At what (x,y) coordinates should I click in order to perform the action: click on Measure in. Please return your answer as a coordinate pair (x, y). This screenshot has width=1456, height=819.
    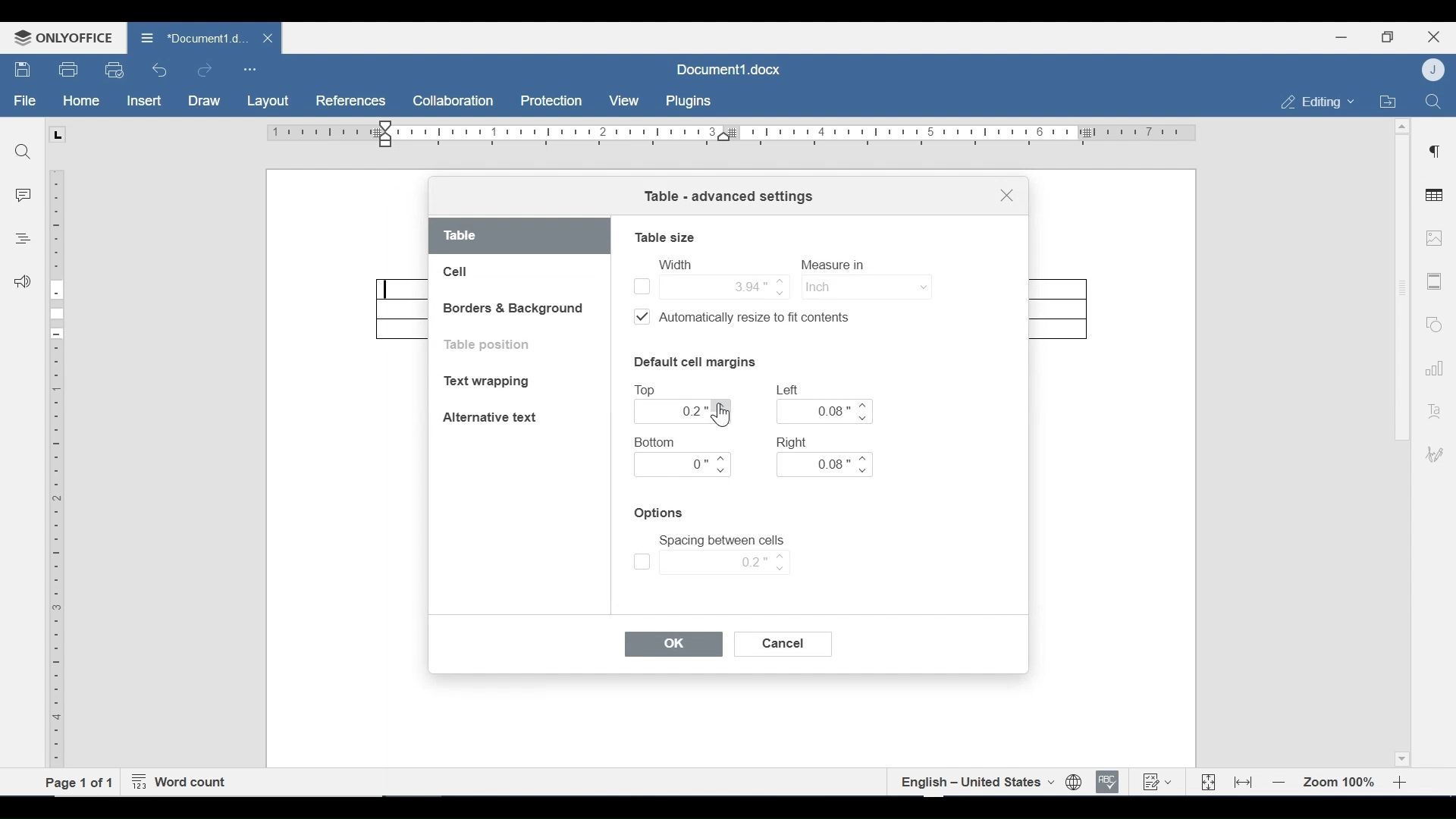
    Looking at the image, I should click on (837, 265).